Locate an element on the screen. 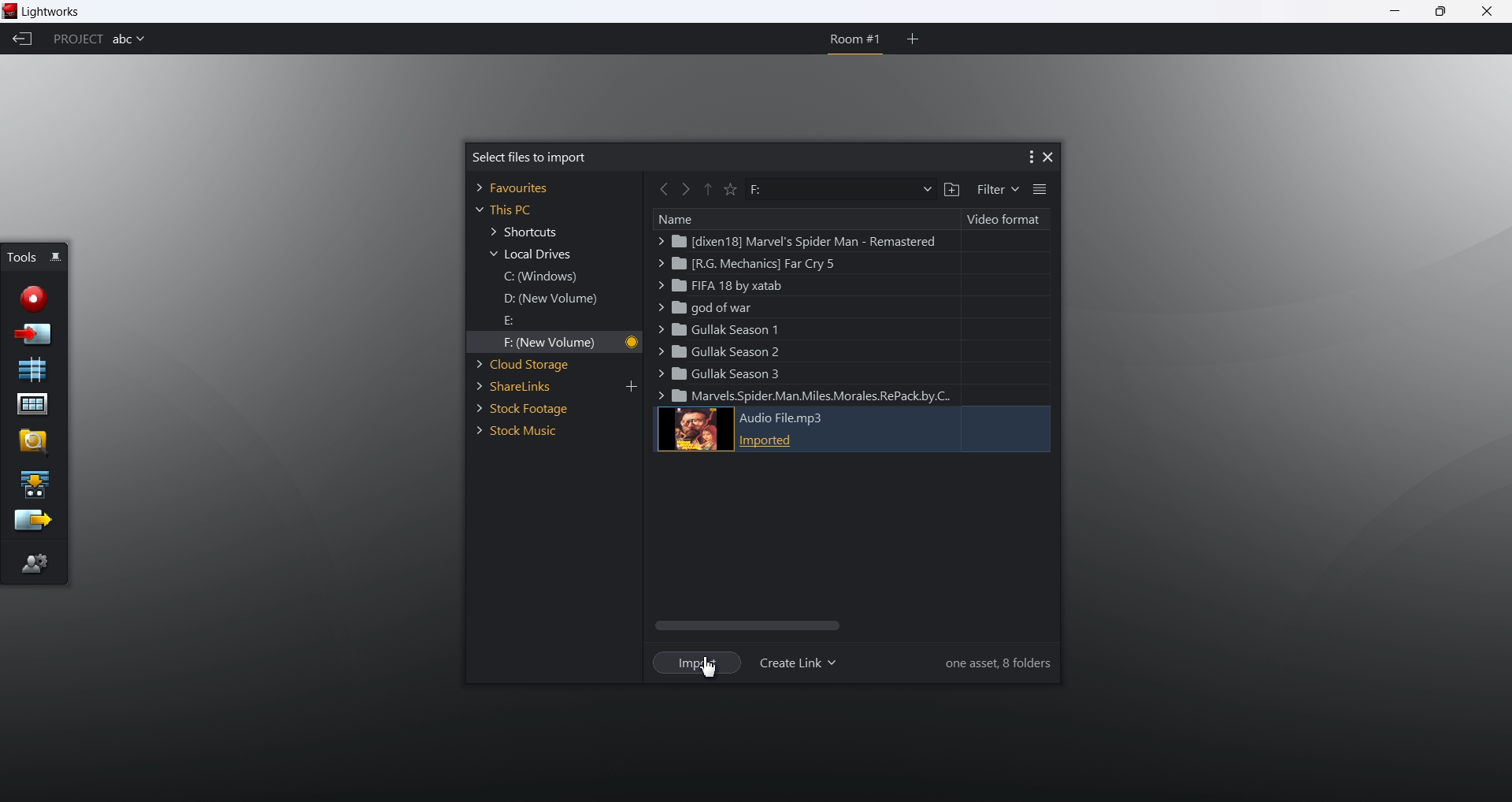 This screenshot has height=802, width=1512. favorites is located at coordinates (513, 187).